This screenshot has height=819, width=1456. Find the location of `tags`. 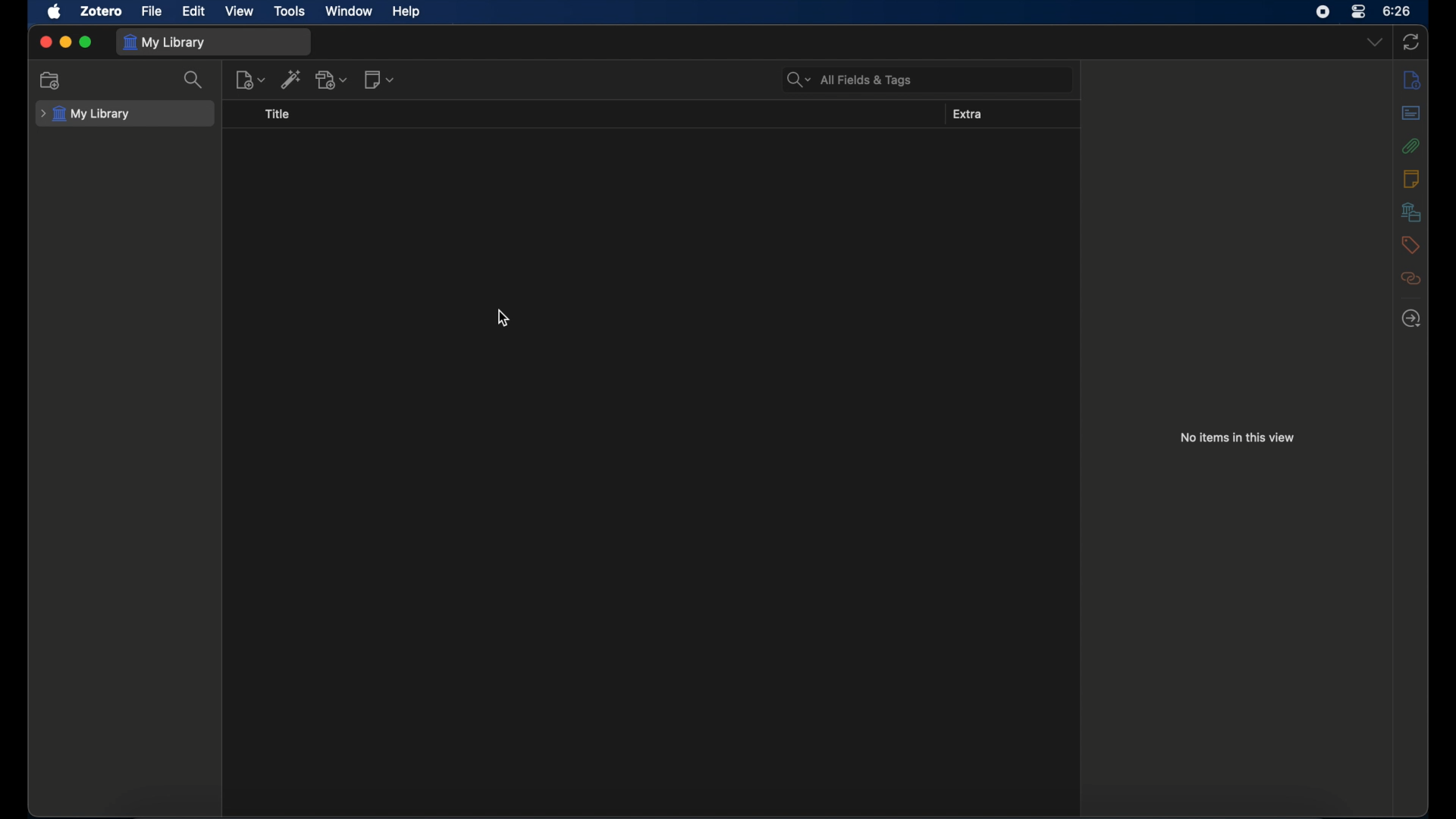

tags is located at coordinates (1410, 245).